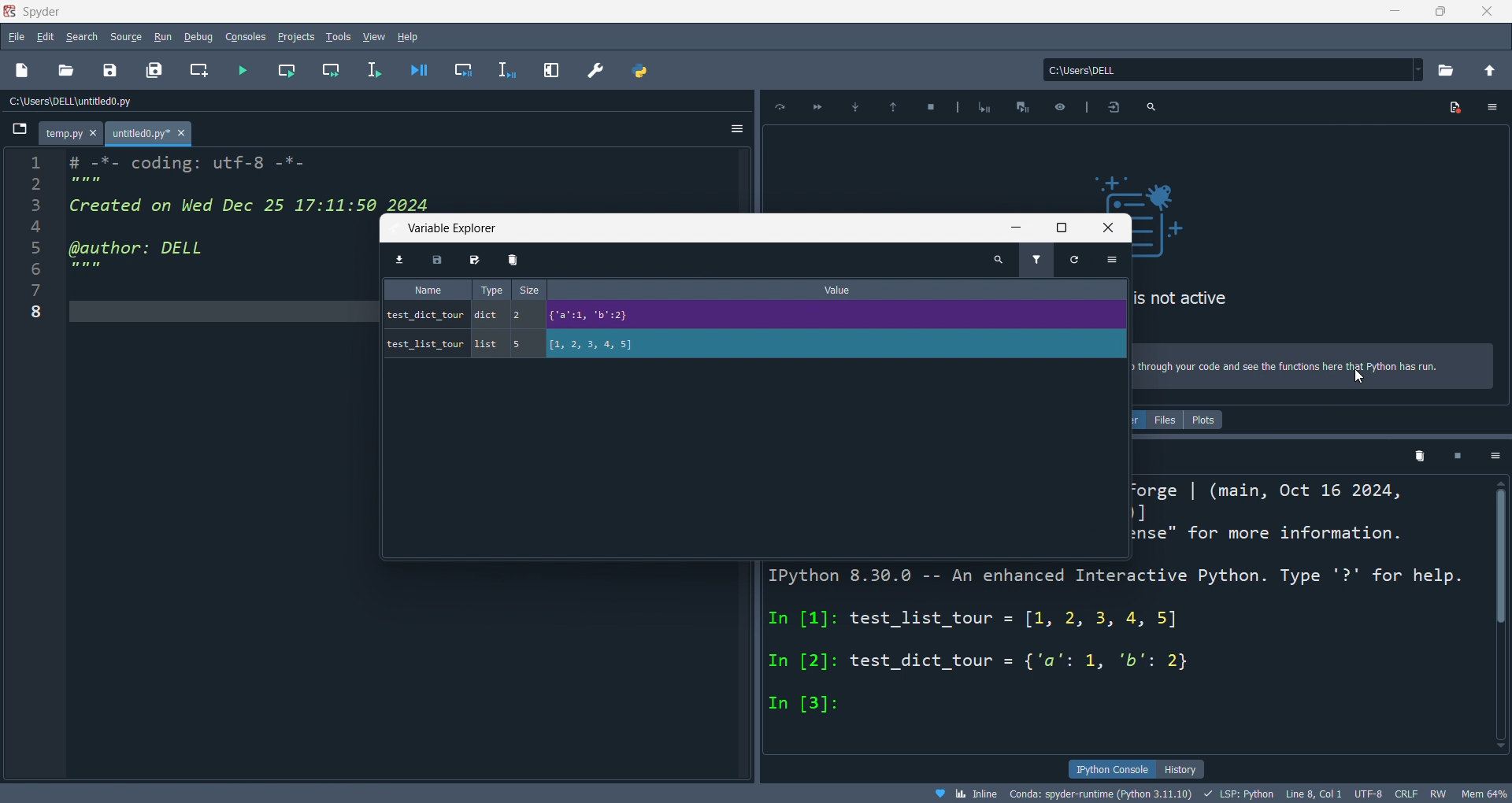  I want to click on Line8, Col 1, so click(1315, 793).